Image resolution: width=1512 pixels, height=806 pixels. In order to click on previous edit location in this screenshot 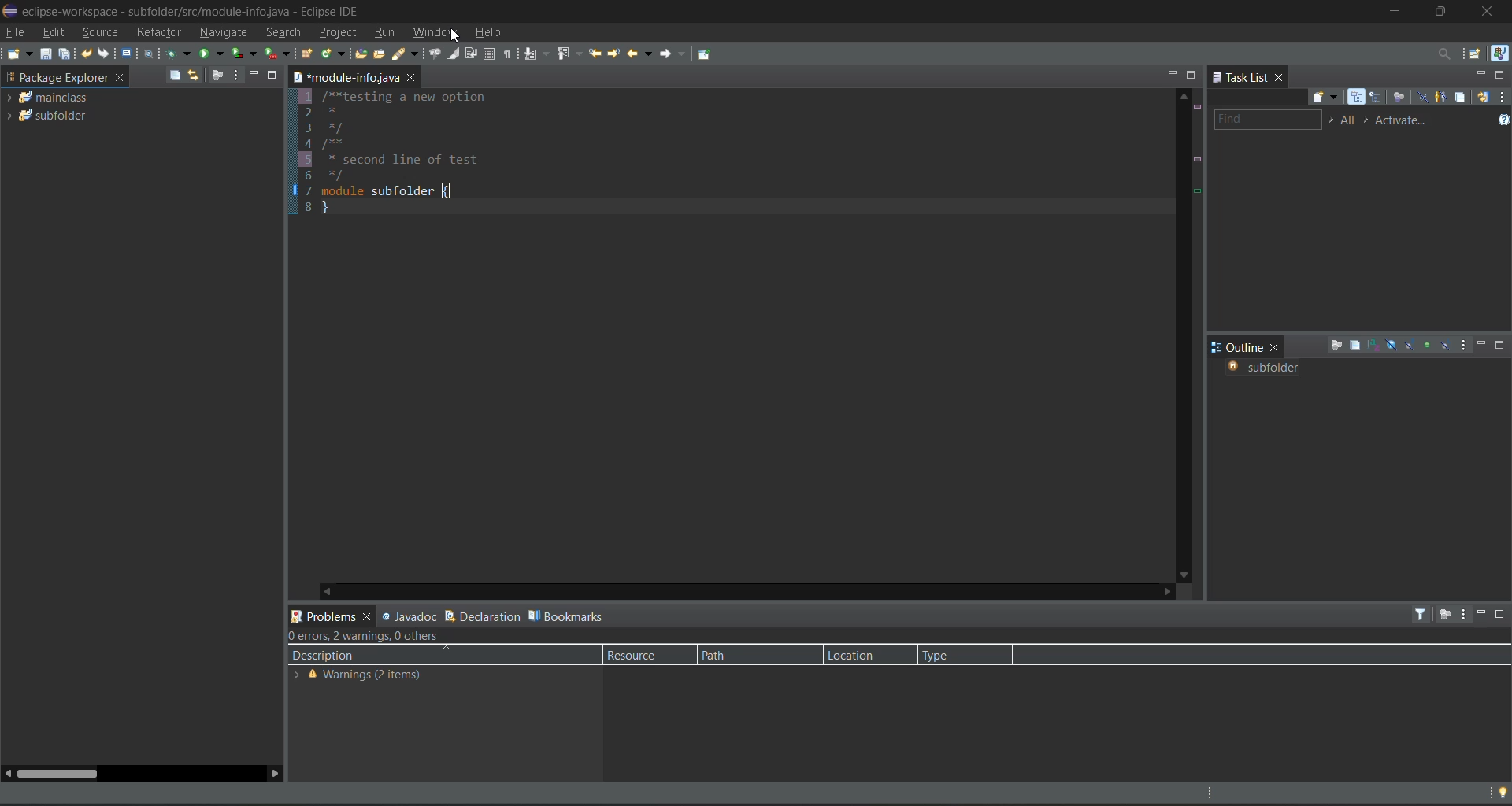, I will do `click(594, 54)`.